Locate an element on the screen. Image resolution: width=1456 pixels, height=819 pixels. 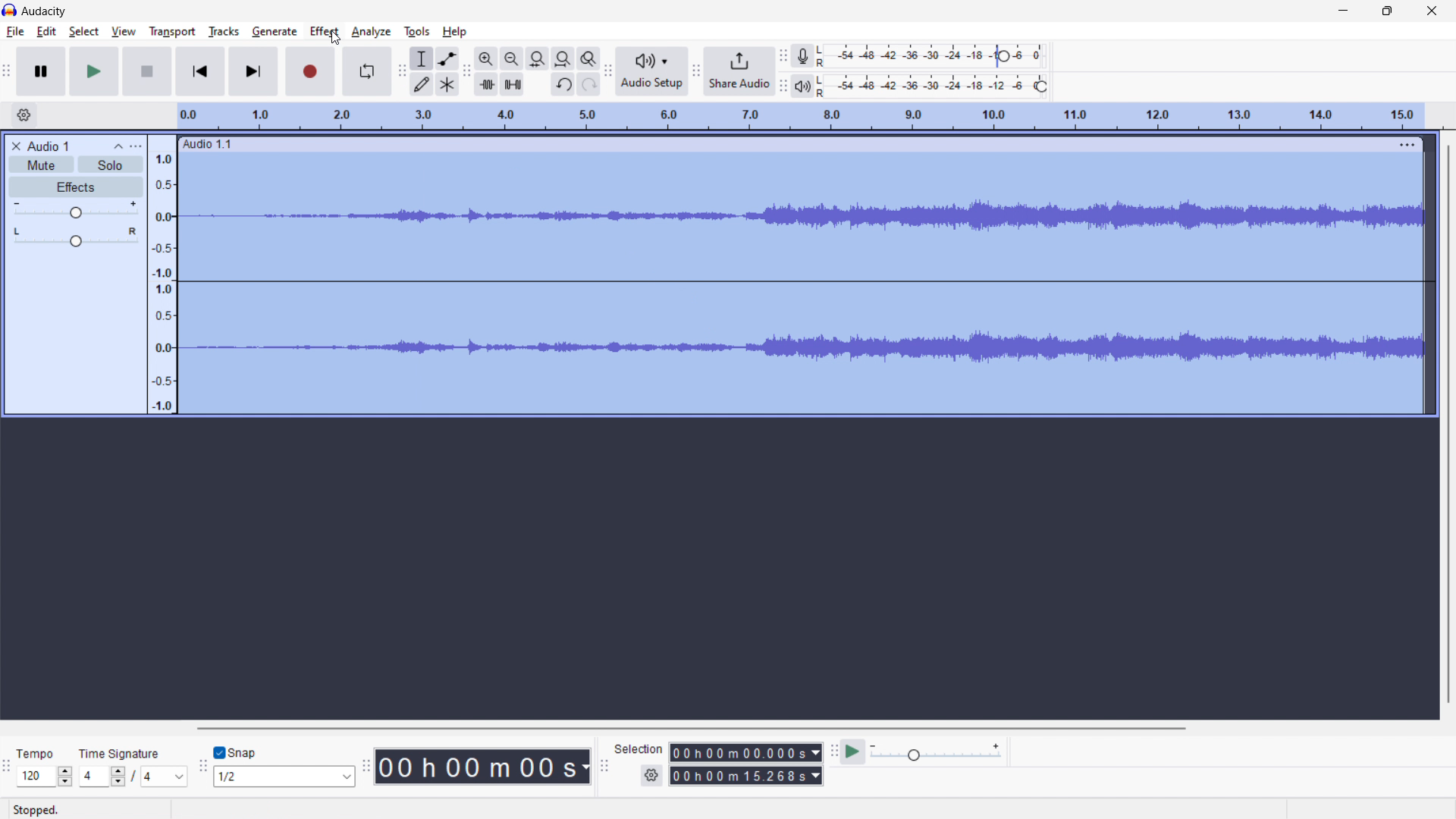
share audio toolbar is located at coordinates (695, 70).